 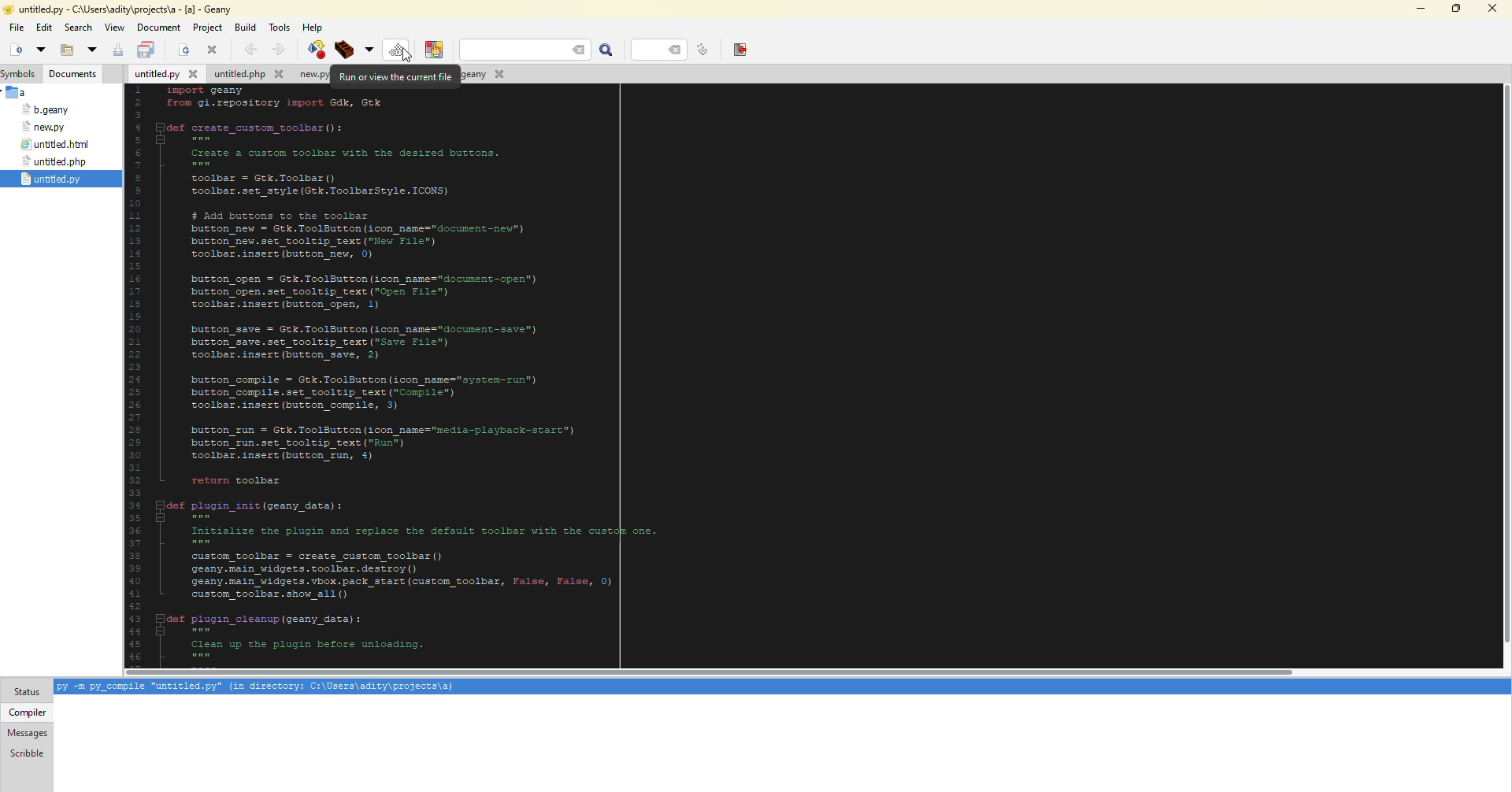 I want to click on search, so click(x=78, y=28).